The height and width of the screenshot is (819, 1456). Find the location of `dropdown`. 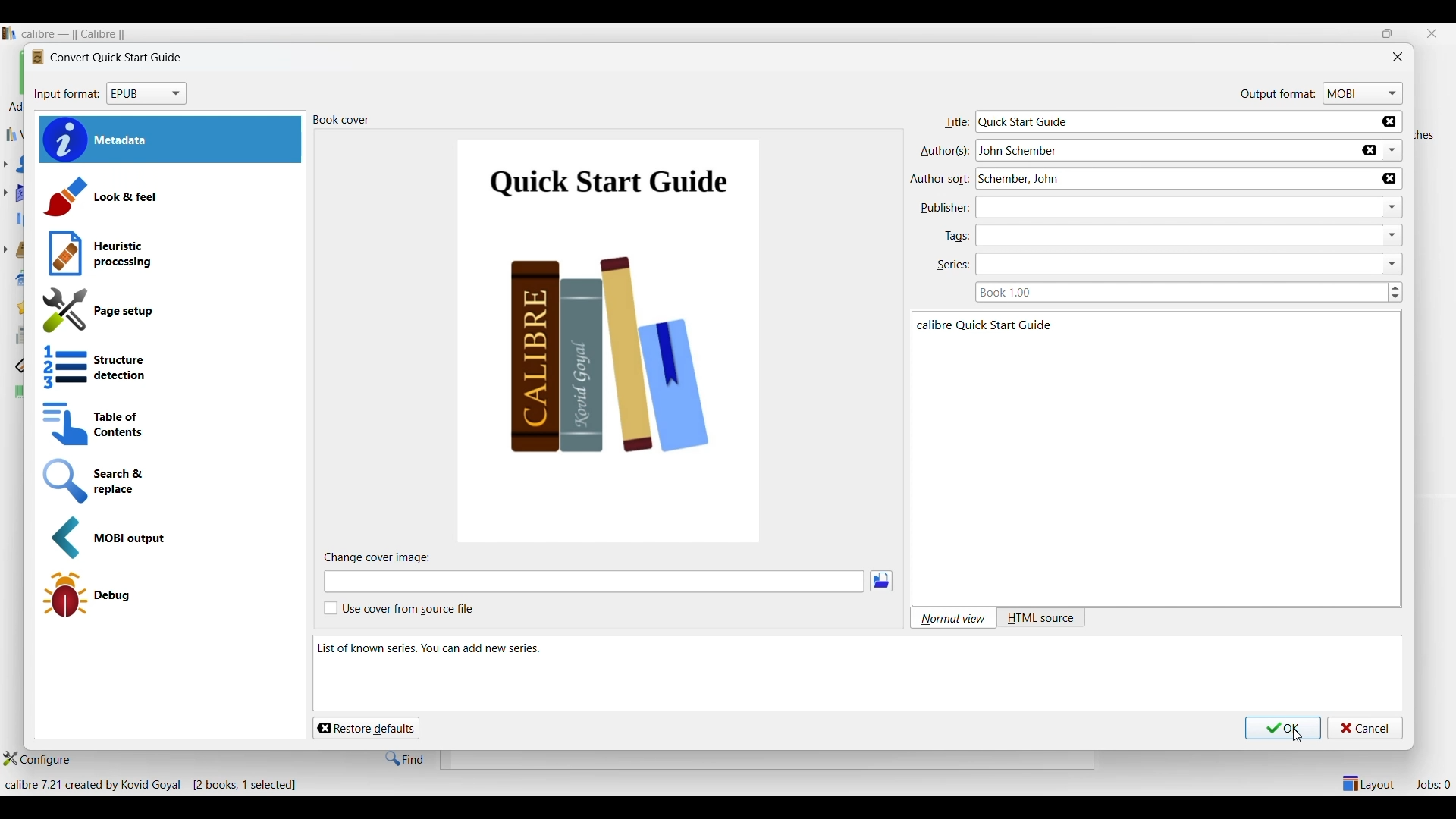

dropdown is located at coordinates (1394, 263).